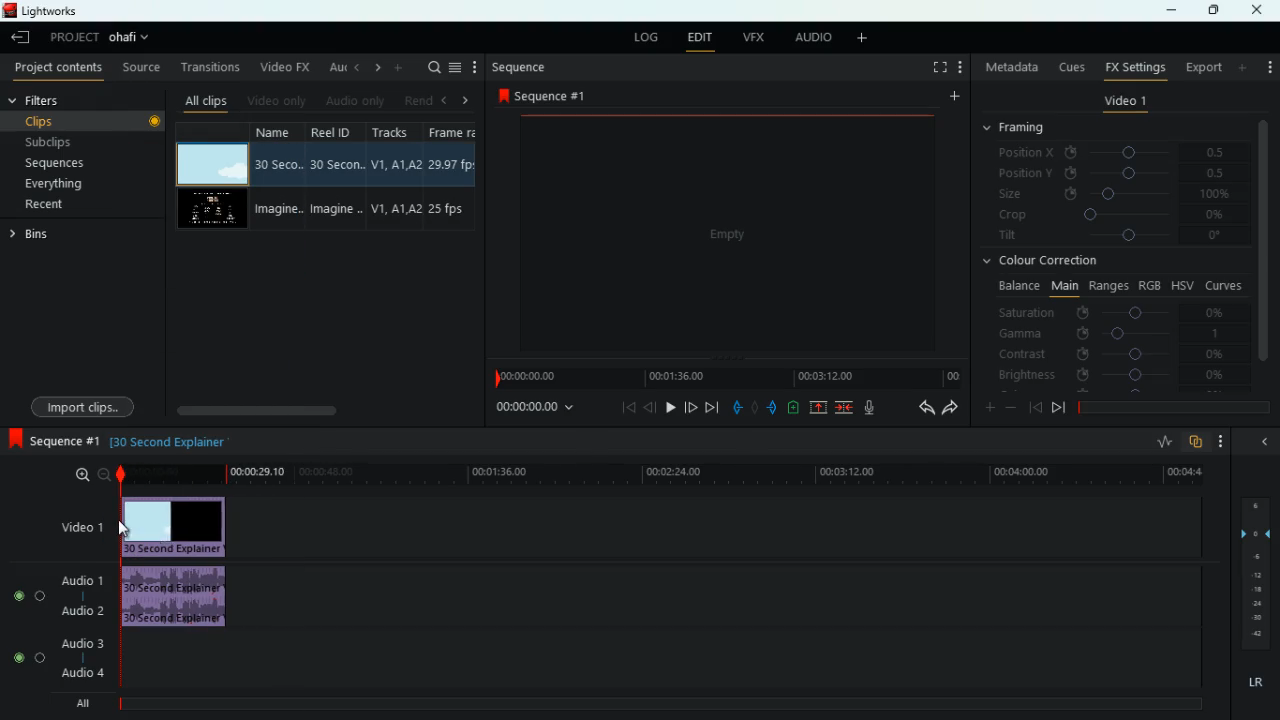 The height and width of the screenshot is (720, 1280). I want to click on audio, so click(352, 100).